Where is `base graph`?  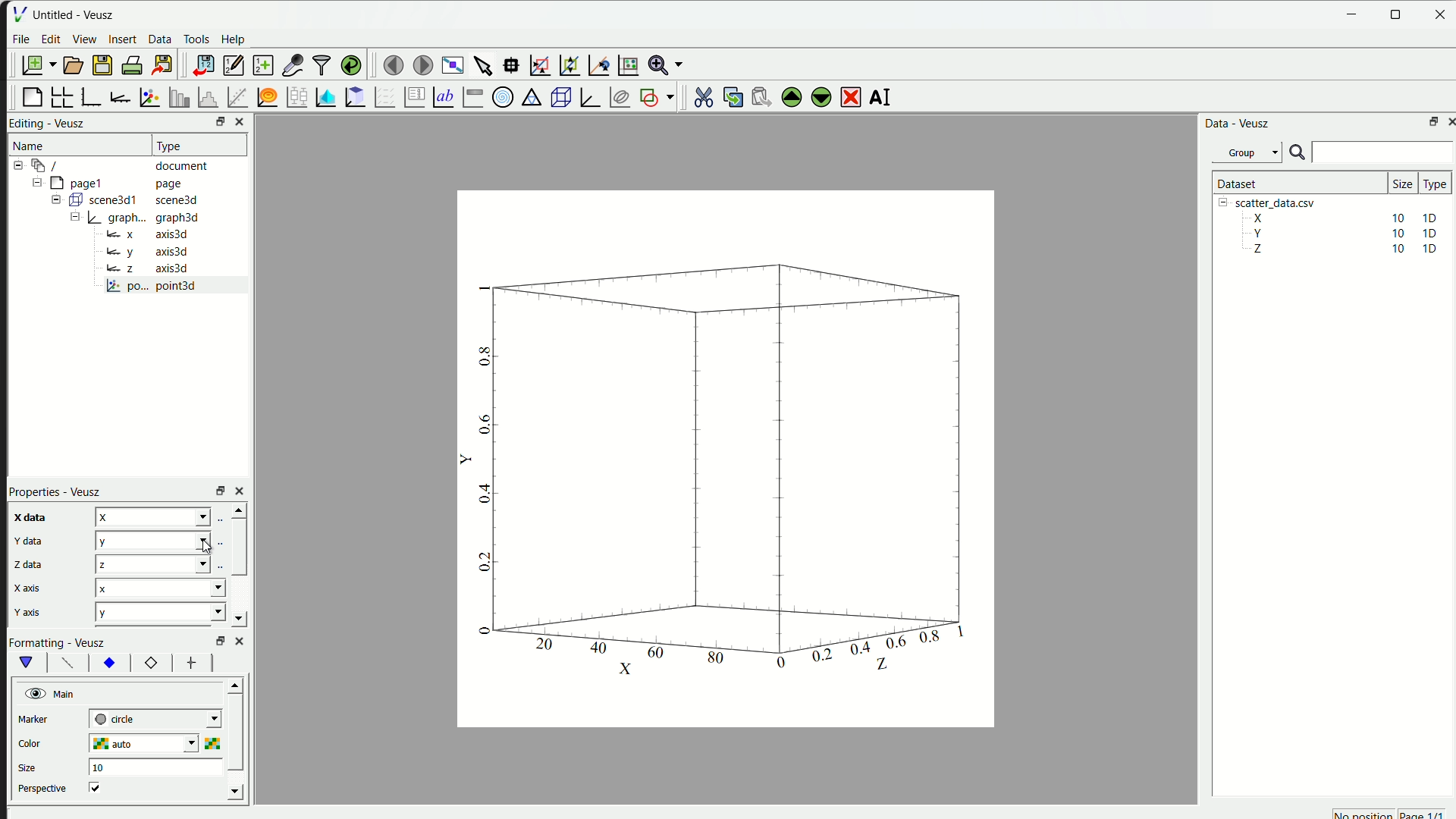 base graph is located at coordinates (91, 96).